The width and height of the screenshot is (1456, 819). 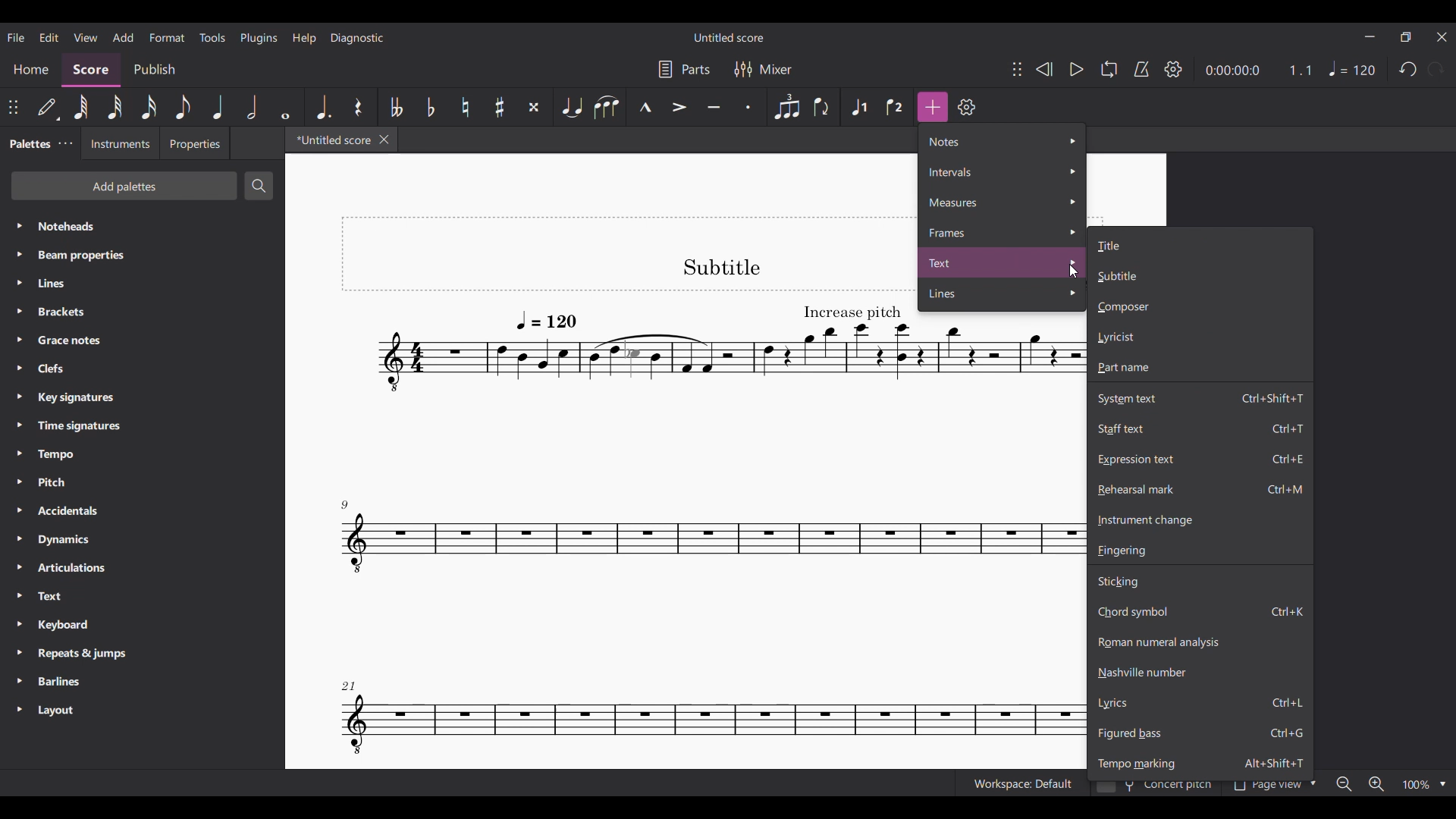 I want to click on Play, so click(x=1078, y=69).